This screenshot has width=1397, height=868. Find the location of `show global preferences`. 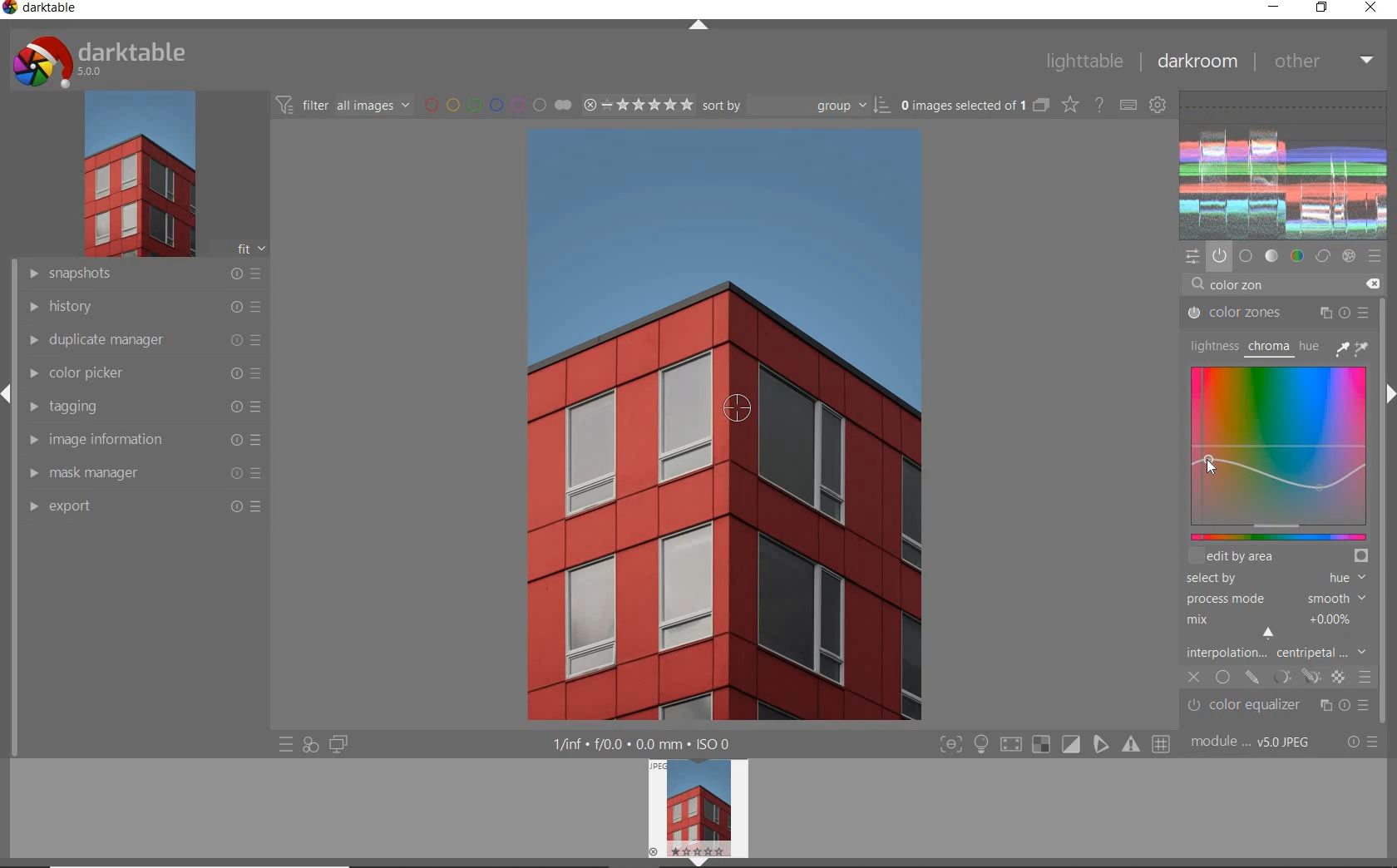

show global preferences is located at coordinates (1159, 106).